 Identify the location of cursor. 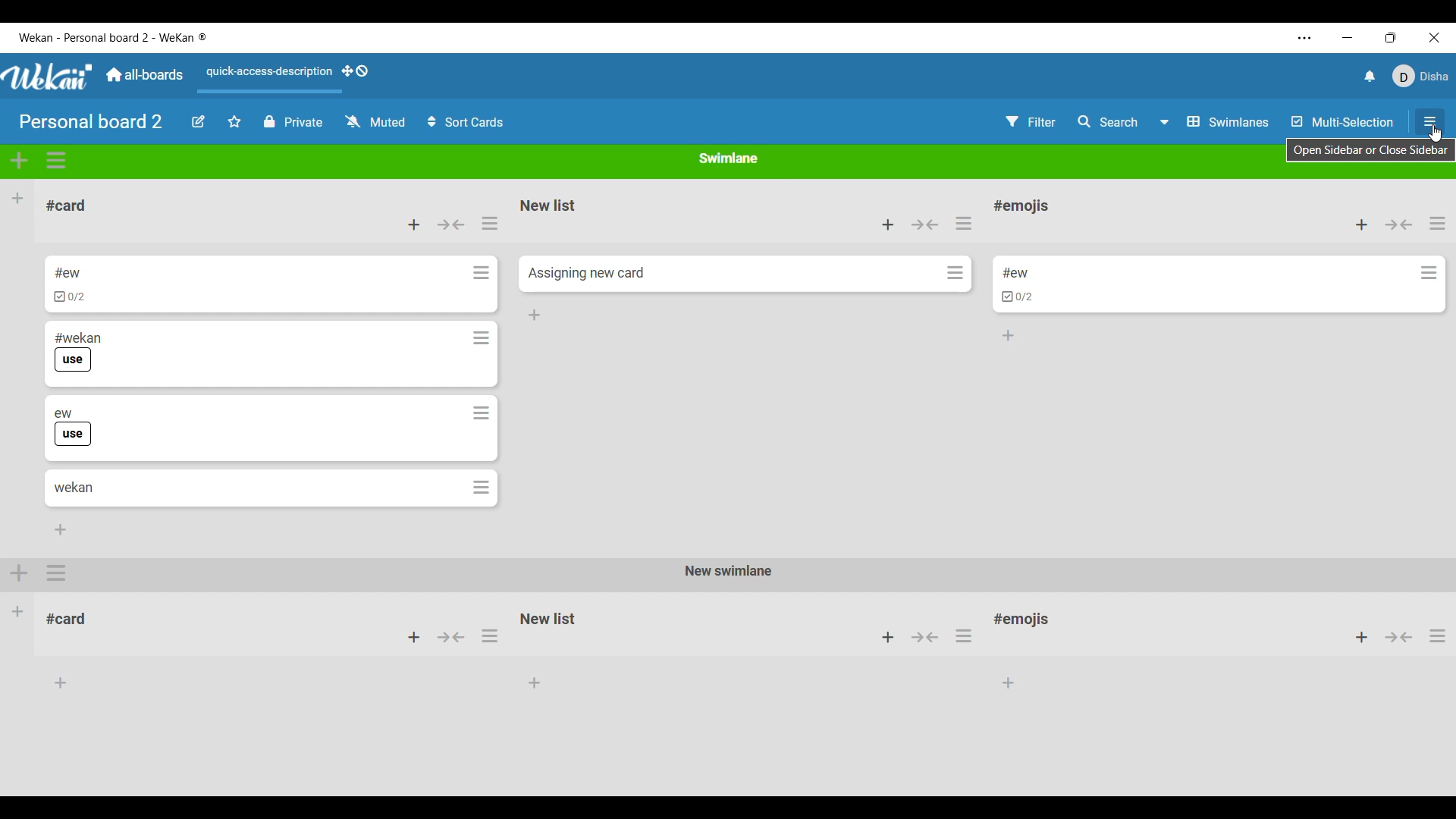
(1435, 135).